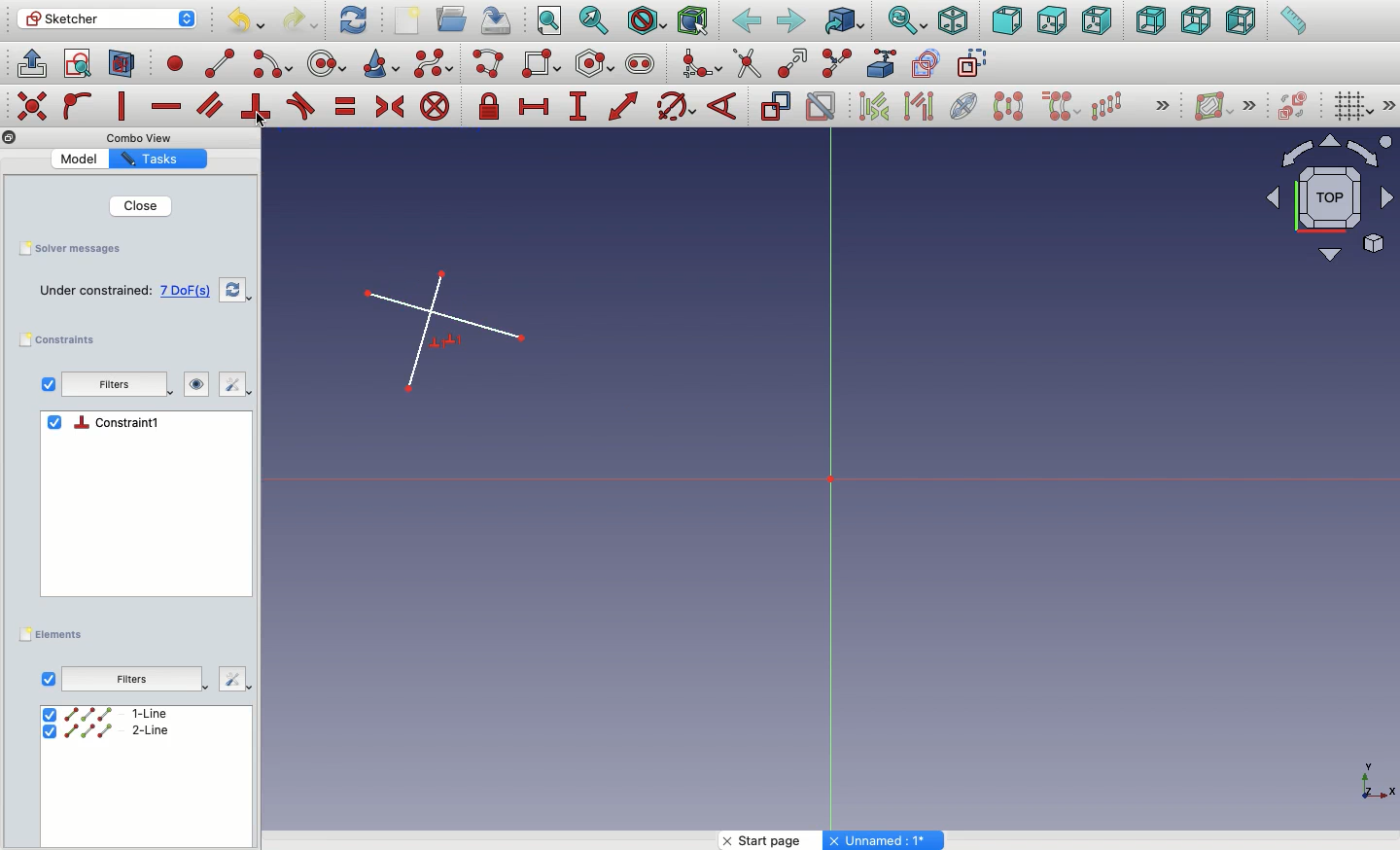 This screenshot has height=850, width=1400. What do you see at coordinates (177, 66) in the screenshot?
I see `point` at bounding box center [177, 66].